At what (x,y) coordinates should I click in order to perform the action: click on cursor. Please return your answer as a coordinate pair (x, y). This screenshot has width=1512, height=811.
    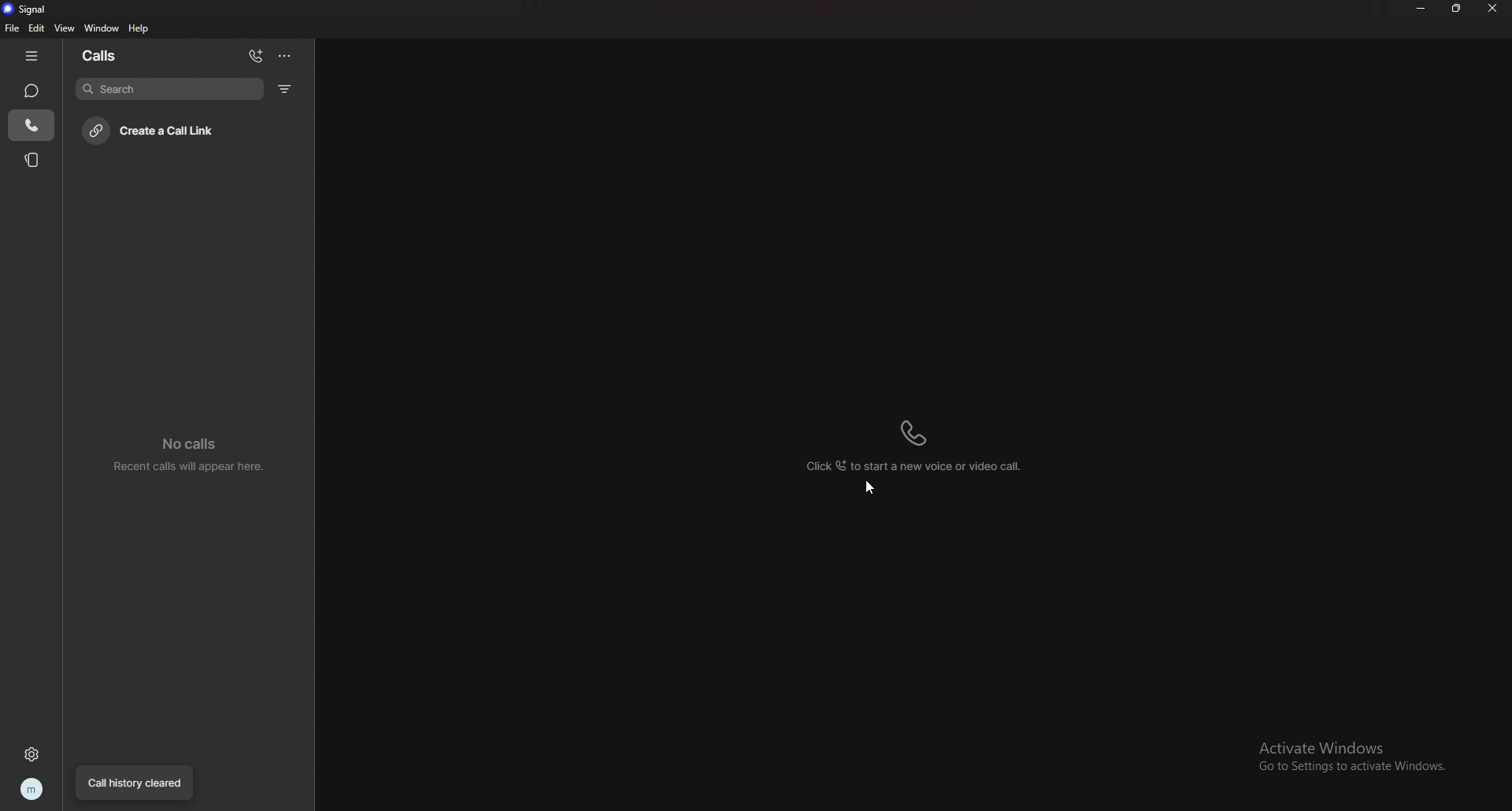
    Looking at the image, I should click on (870, 490).